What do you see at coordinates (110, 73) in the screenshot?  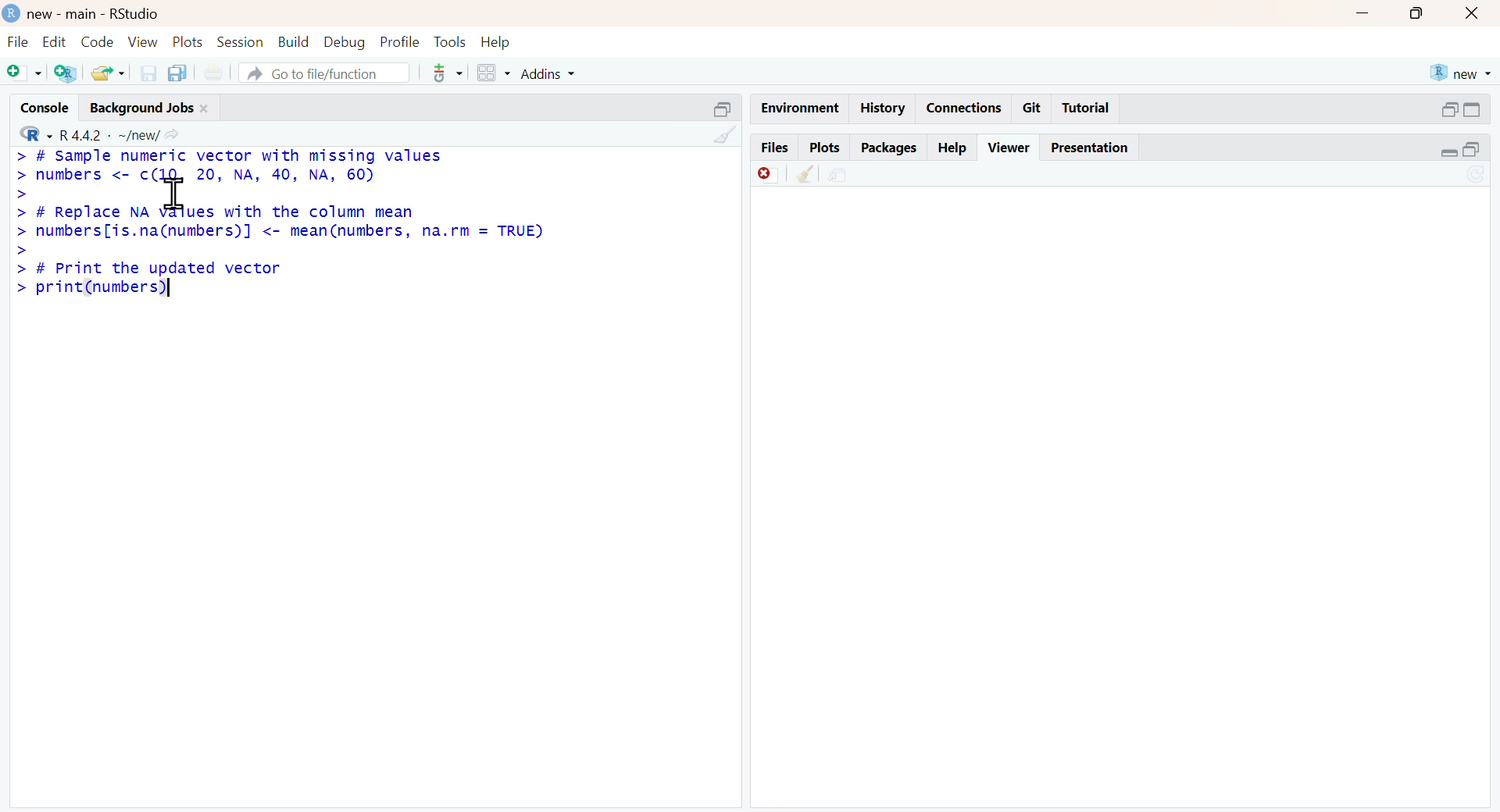 I see `share folder` at bounding box center [110, 73].